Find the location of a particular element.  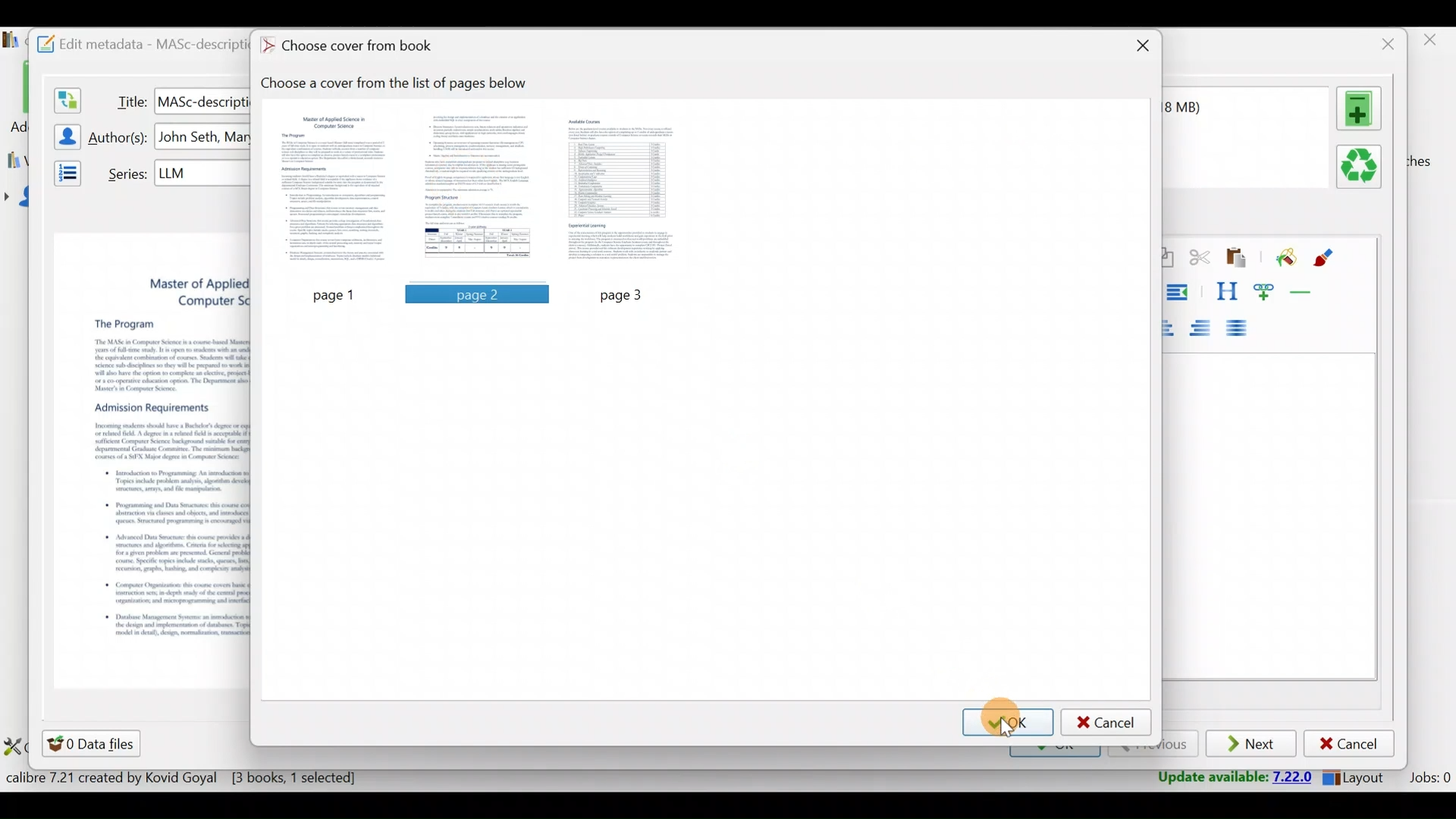

Swap the author and title is located at coordinates (66, 97).